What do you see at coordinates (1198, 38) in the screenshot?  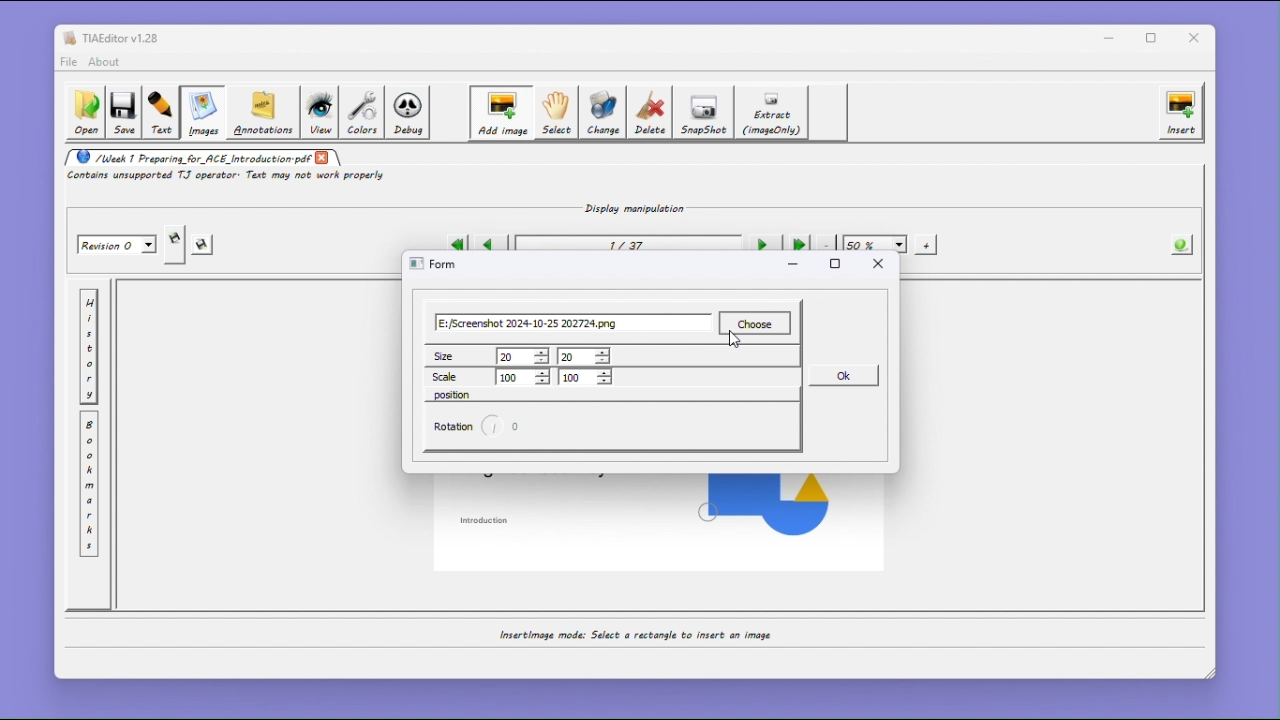 I see `close` at bounding box center [1198, 38].